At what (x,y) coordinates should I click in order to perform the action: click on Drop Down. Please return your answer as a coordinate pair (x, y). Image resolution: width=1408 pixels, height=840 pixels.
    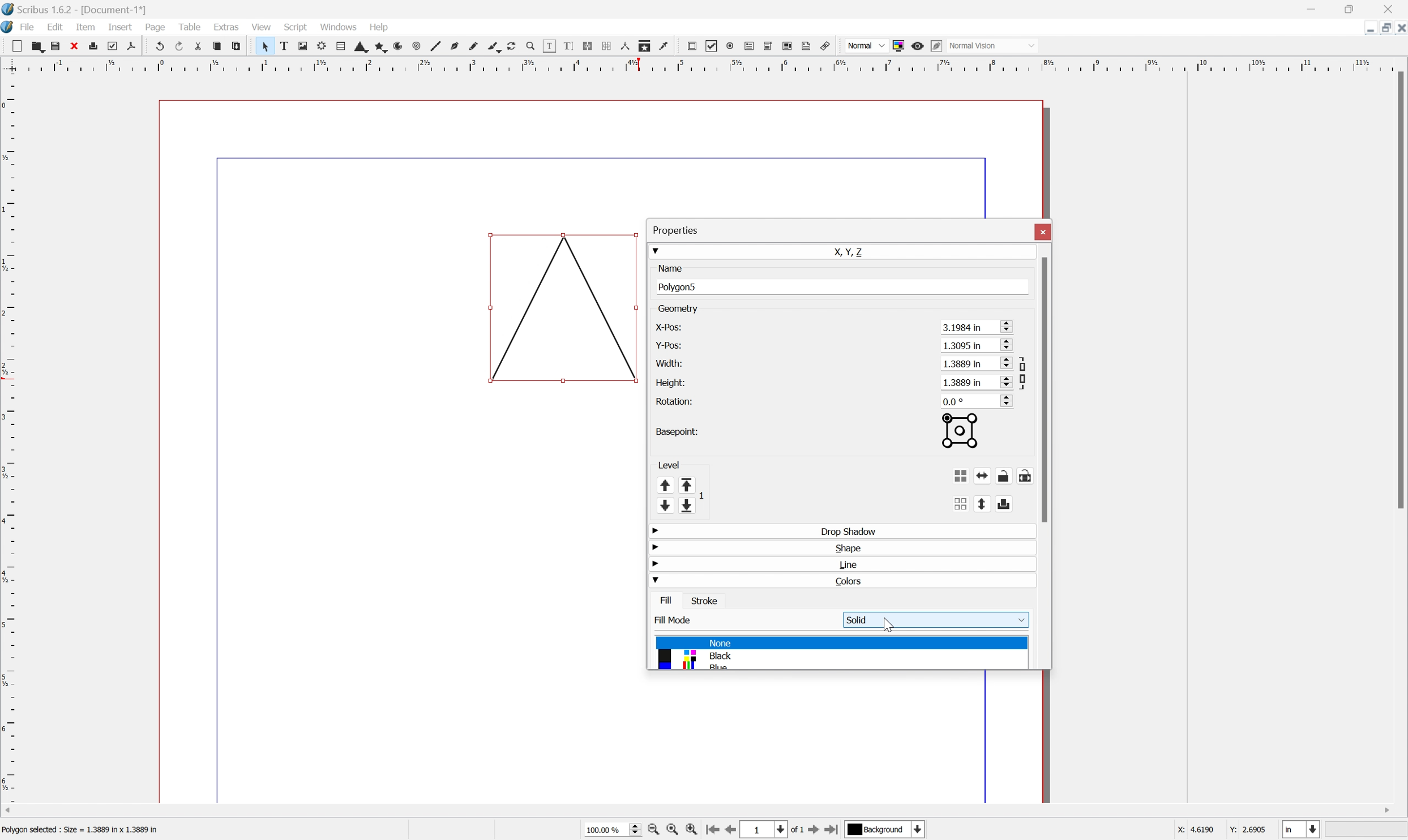
    Looking at the image, I should click on (656, 597).